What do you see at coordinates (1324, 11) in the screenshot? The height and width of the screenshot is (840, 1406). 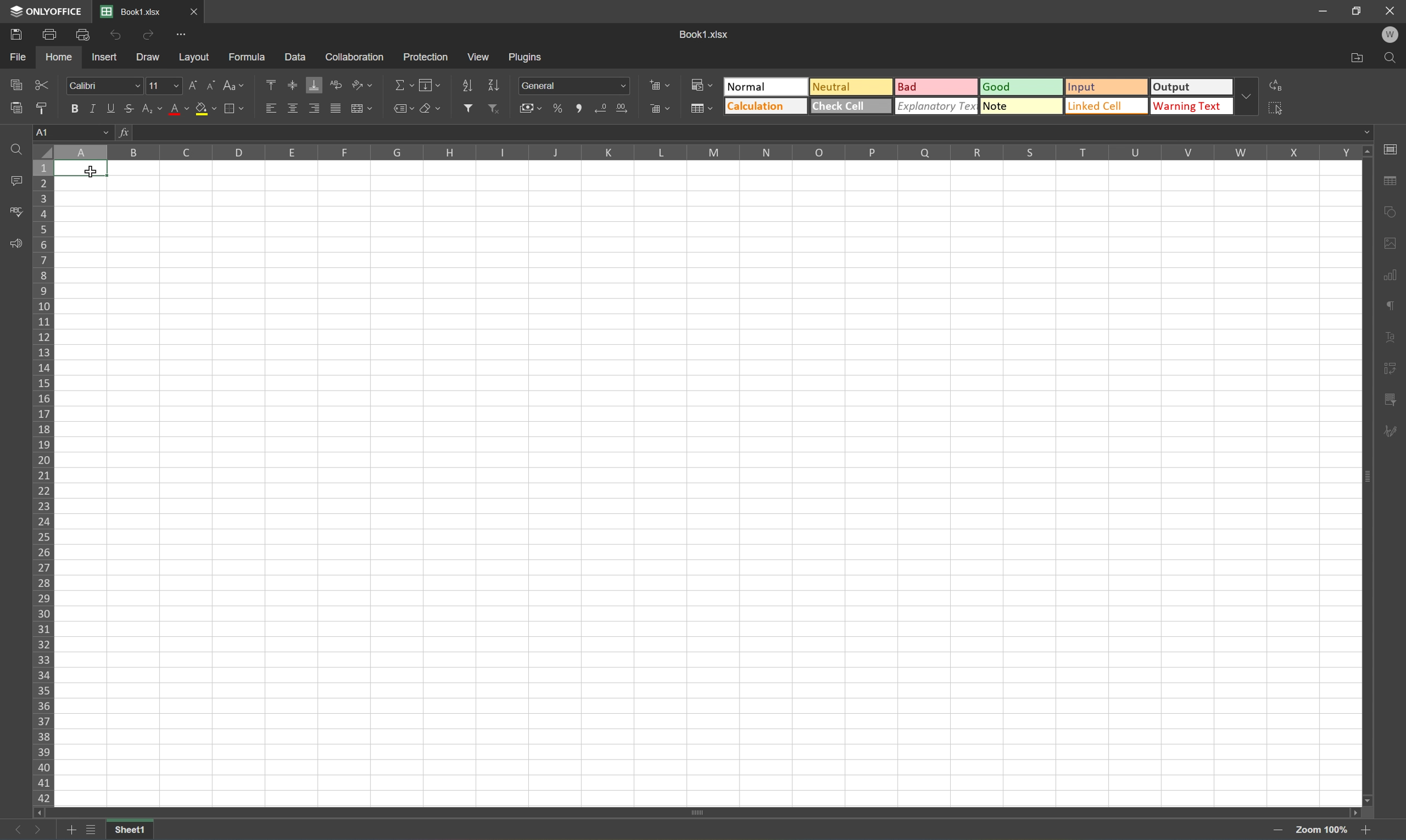 I see `Minimize` at bounding box center [1324, 11].